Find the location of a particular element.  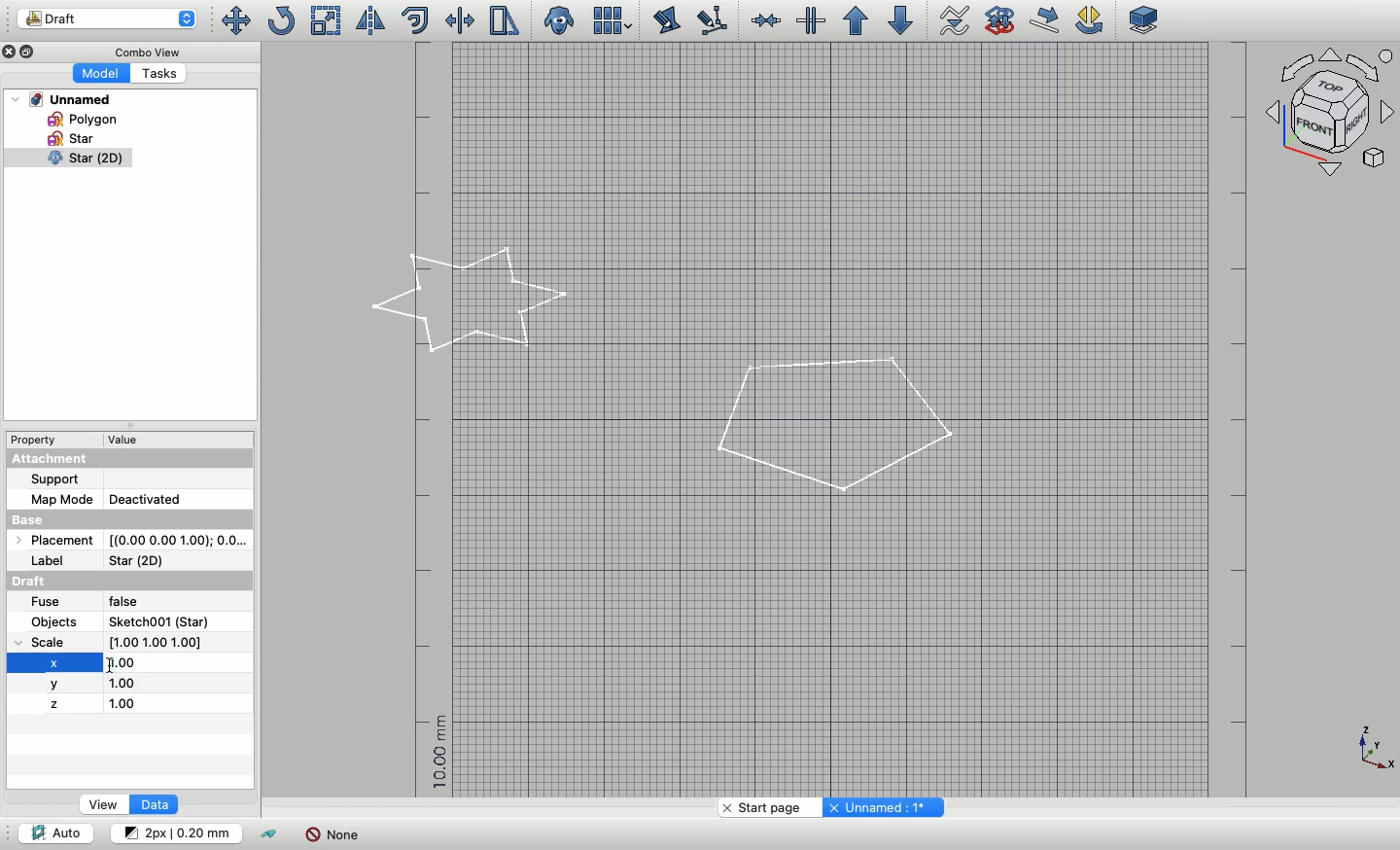

Draft to sketch is located at coordinates (1000, 18).